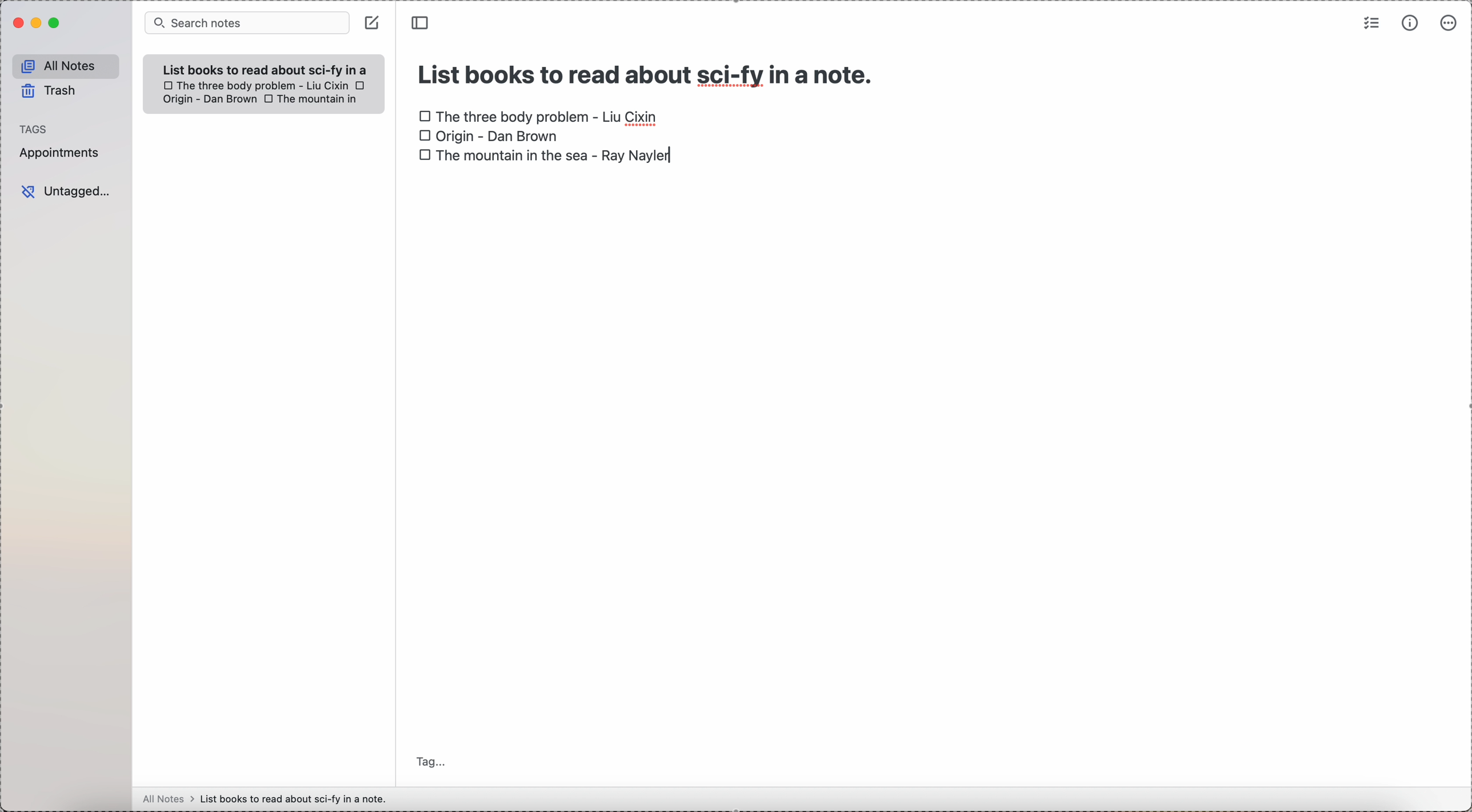 The image size is (1472, 812). I want to click on tag..., so click(433, 763).